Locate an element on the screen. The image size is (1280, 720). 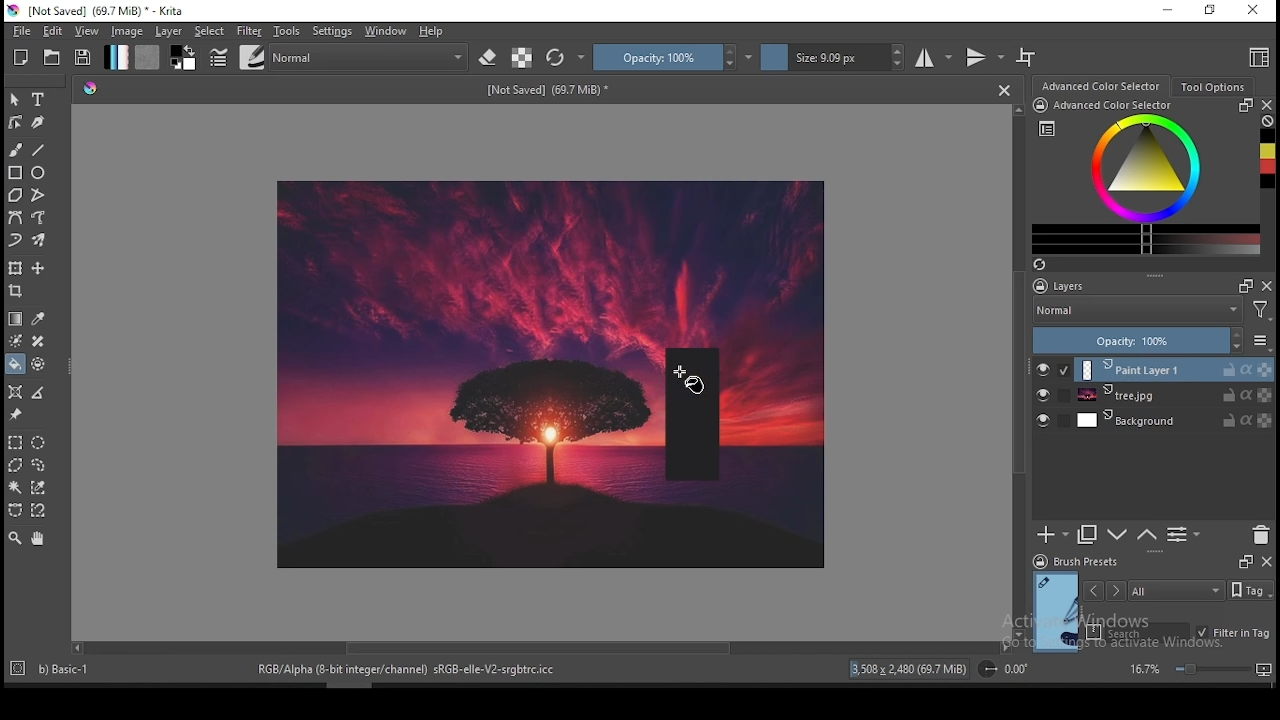
wrap around mode is located at coordinates (1027, 57).